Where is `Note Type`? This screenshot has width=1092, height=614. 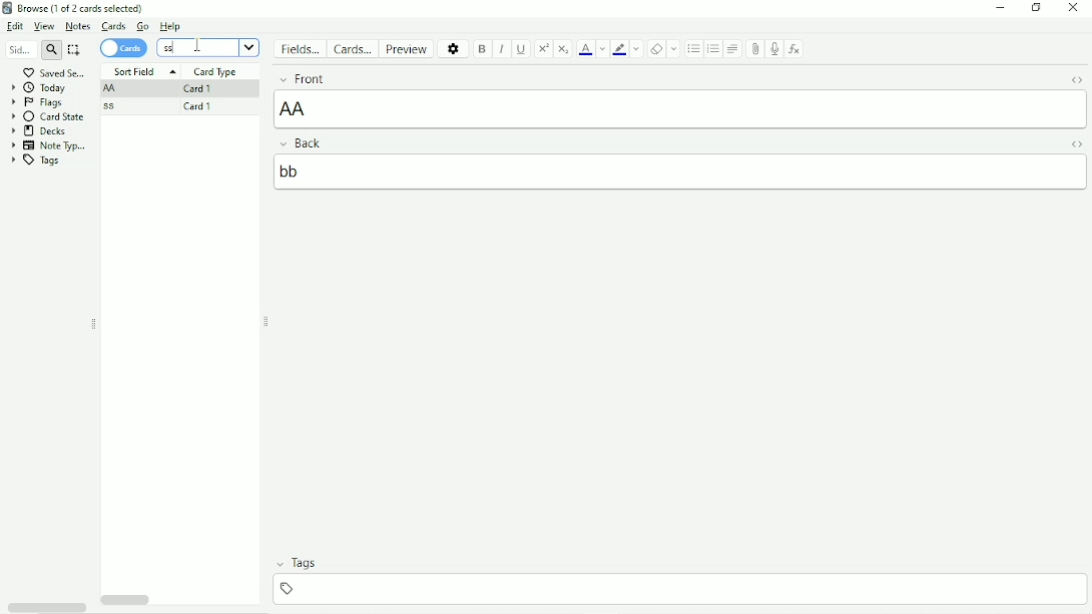
Note Type is located at coordinates (50, 145).